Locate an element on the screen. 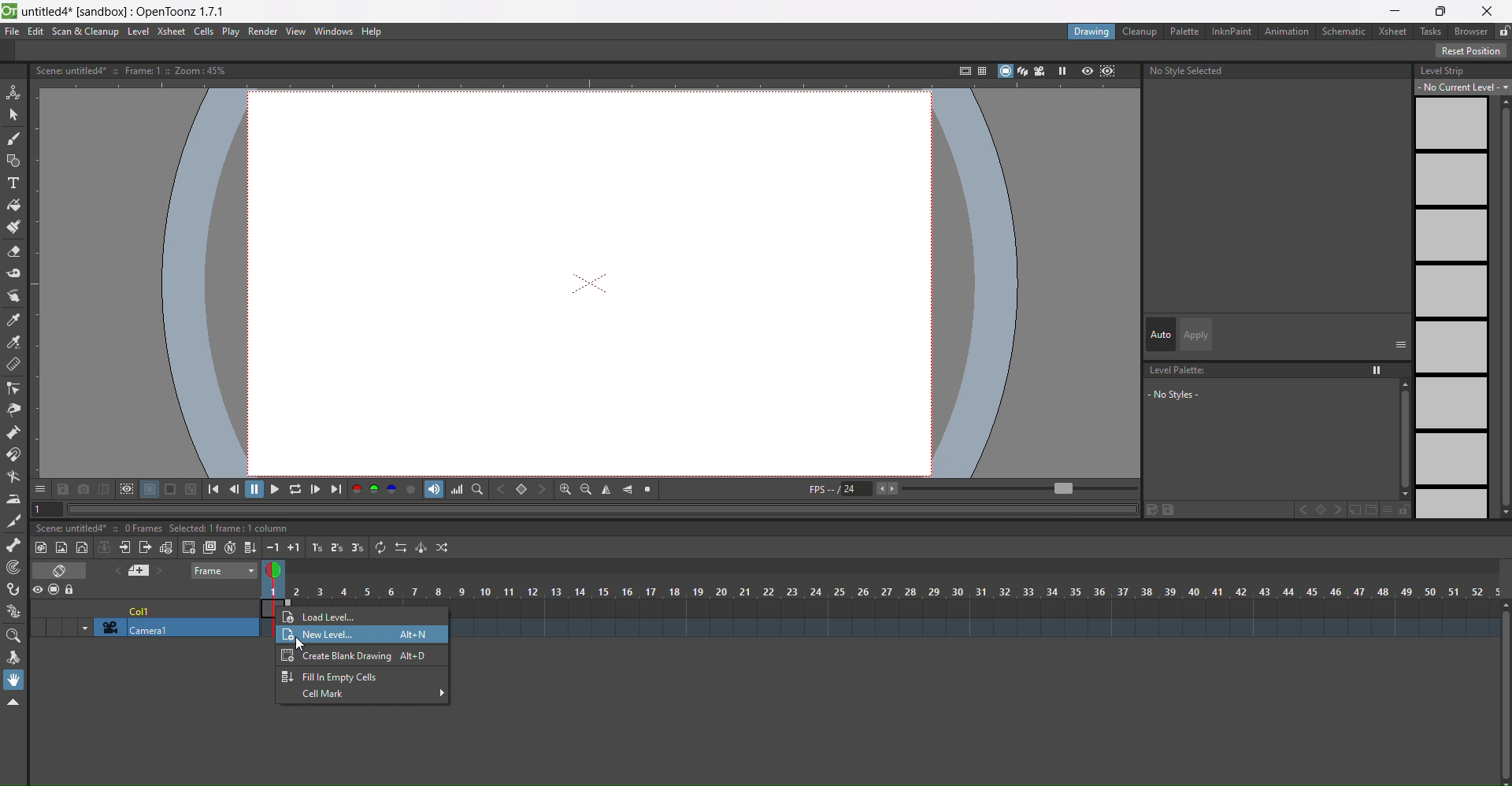 The image size is (1512, 786). apply is located at coordinates (1198, 335).